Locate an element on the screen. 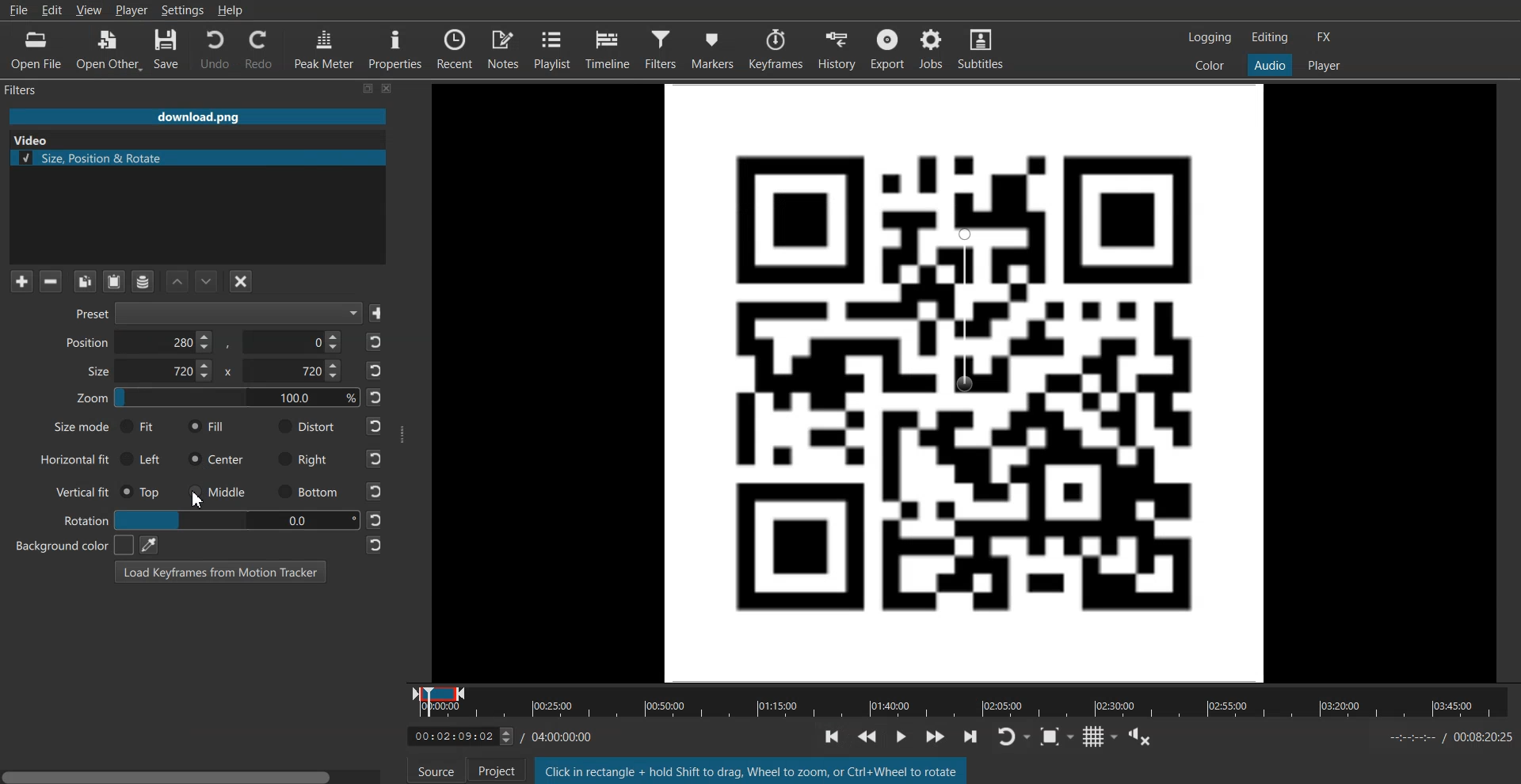 The width and height of the screenshot is (1521, 784). Fill is located at coordinates (207, 427).